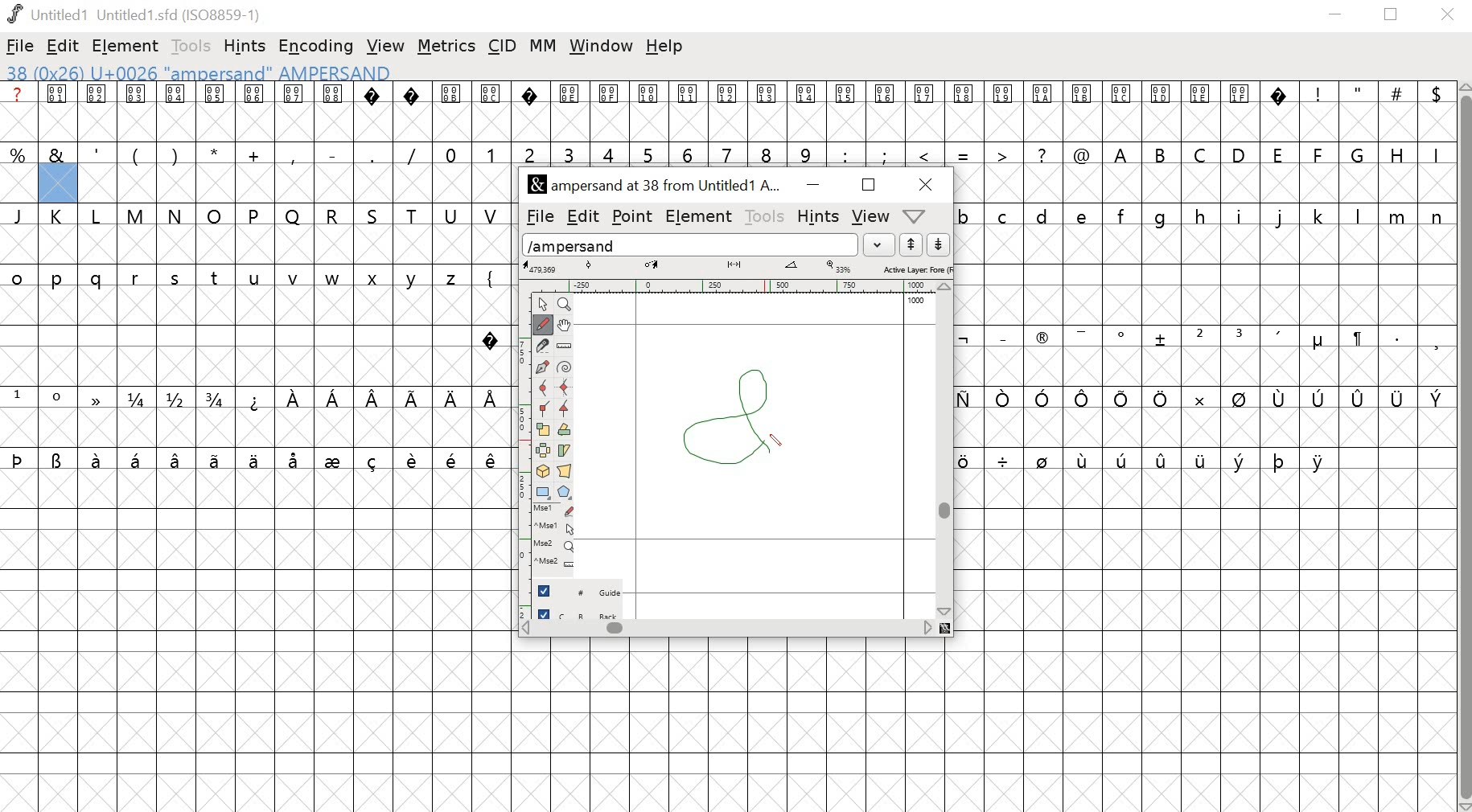  What do you see at coordinates (454, 459) in the screenshot?
I see `symbol` at bounding box center [454, 459].